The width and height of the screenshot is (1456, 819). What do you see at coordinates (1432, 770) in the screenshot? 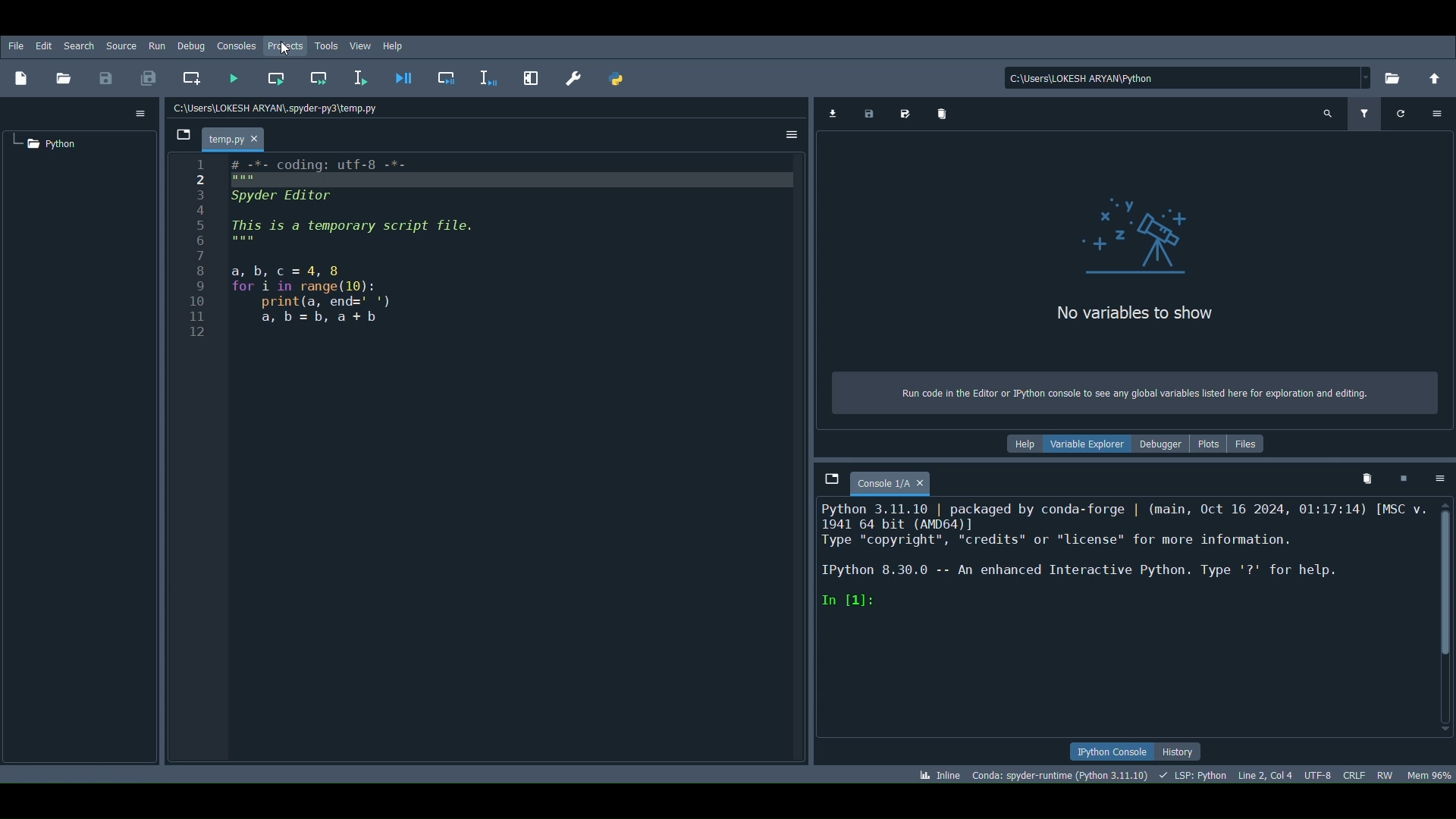
I see `Global memory usage` at bounding box center [1432, 770].